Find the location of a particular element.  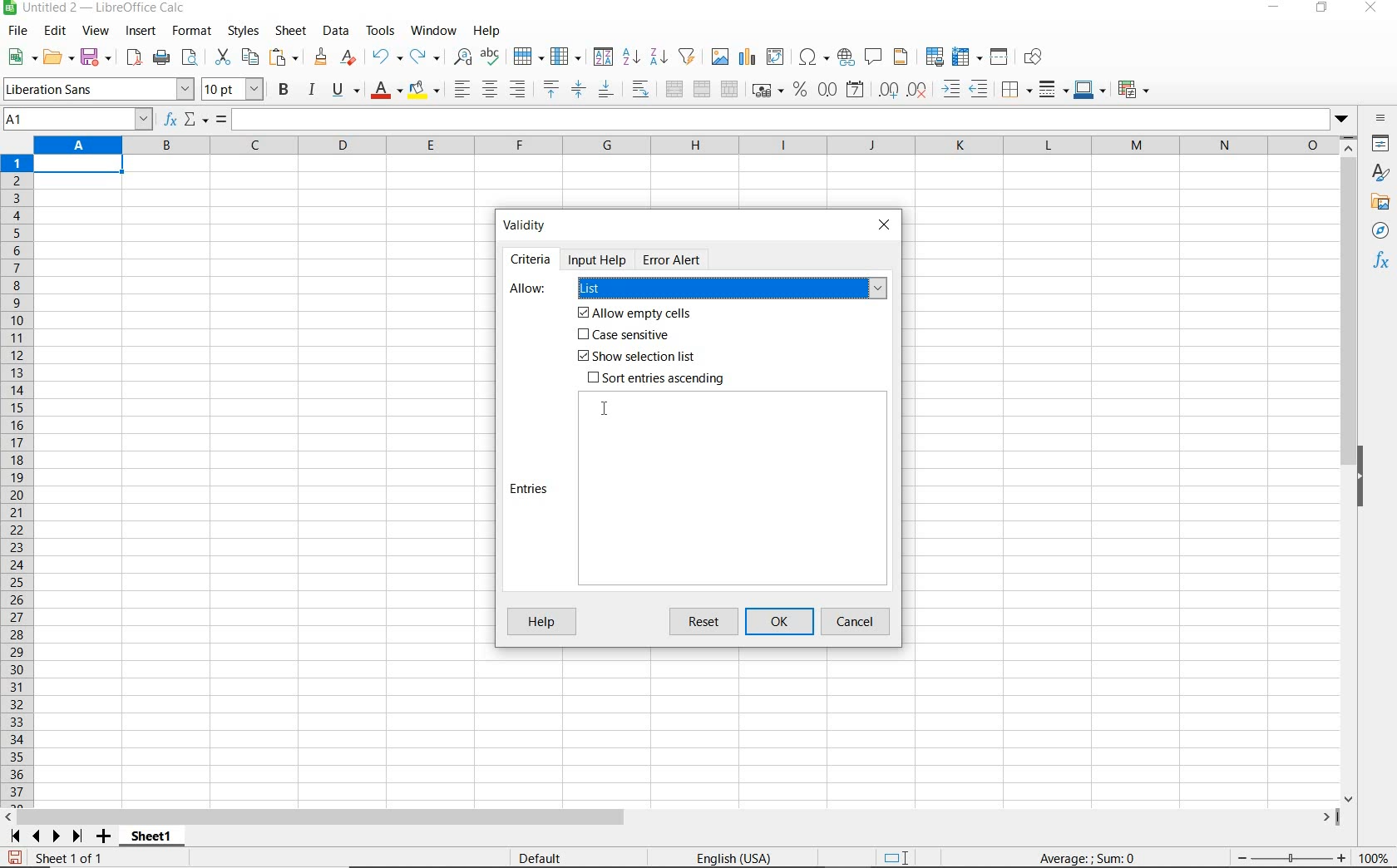

font color is located at coordinates (388, 90).